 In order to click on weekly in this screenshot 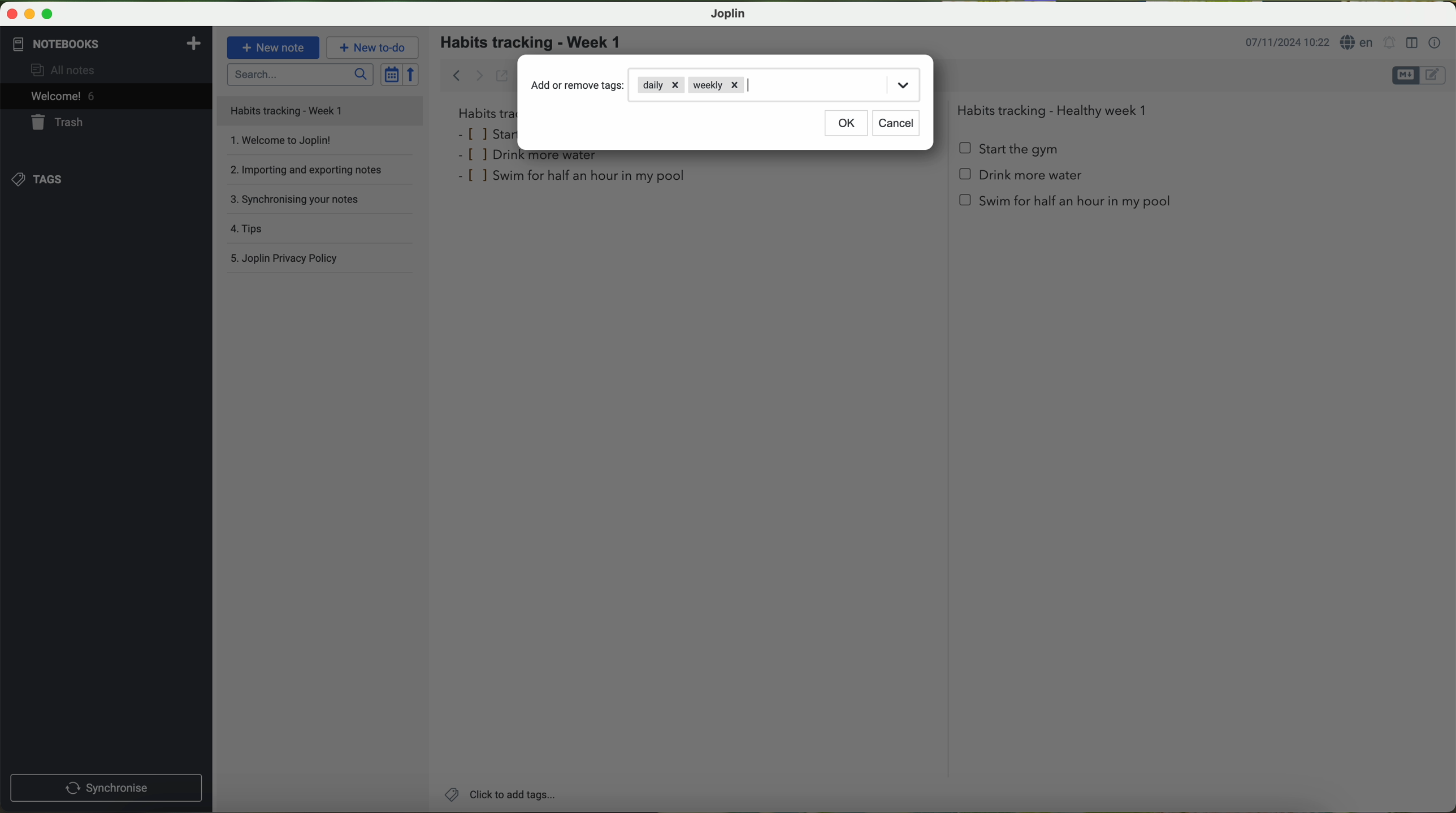, I will do `click(715, 85)`.